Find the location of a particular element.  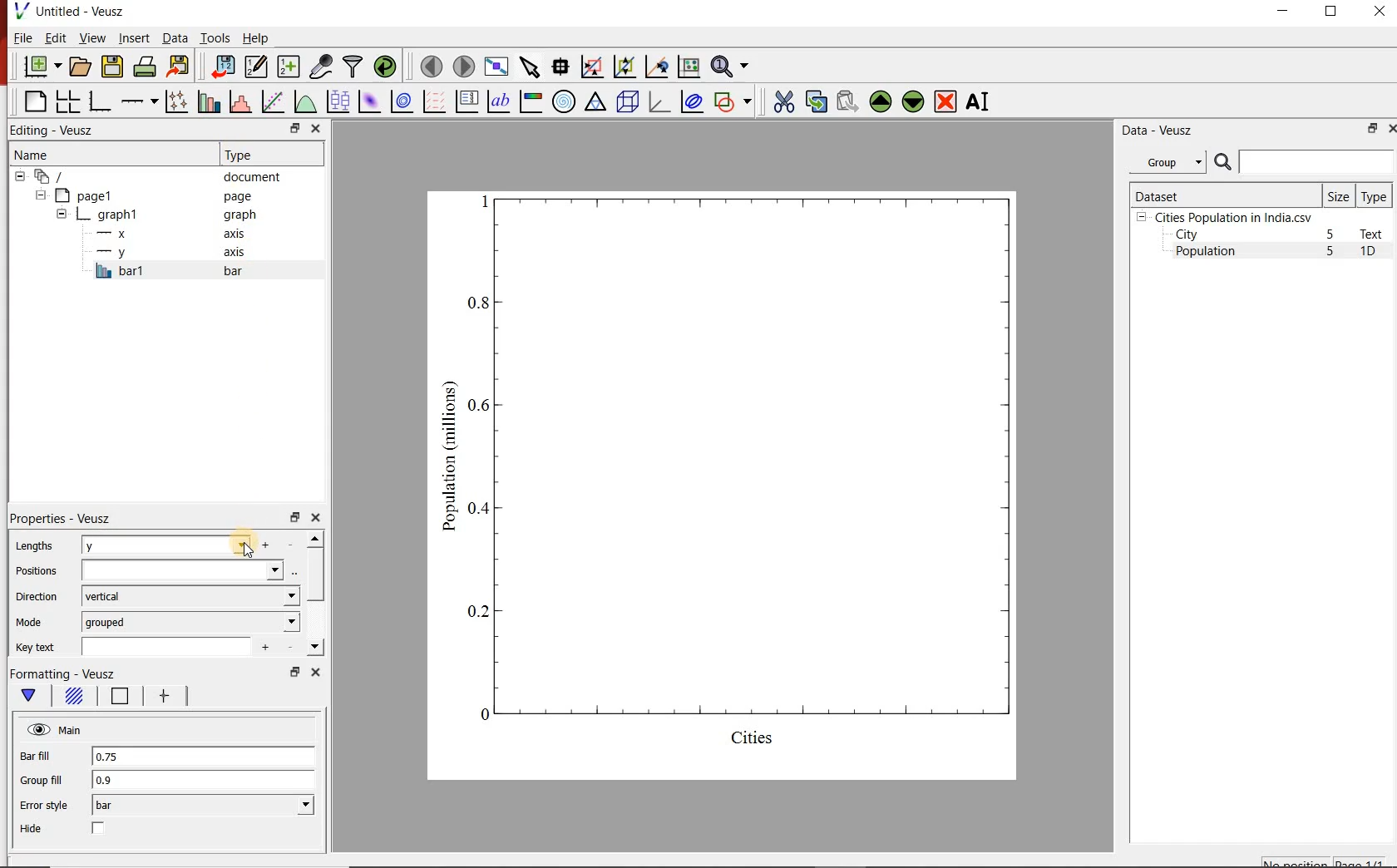

Main is located at coordinates (56, 730).